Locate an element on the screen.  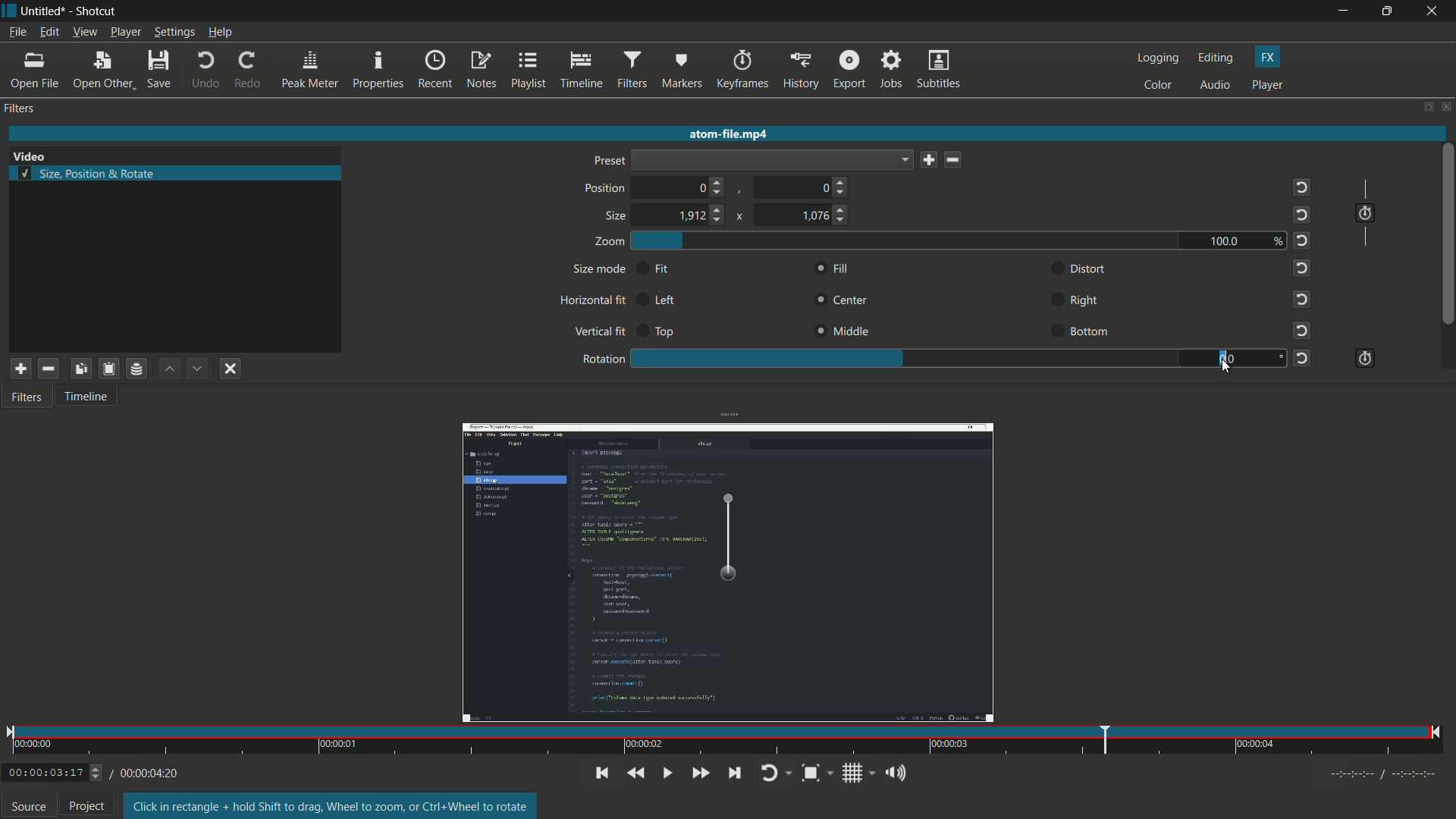
playlist is located at coordinates (529, 71).